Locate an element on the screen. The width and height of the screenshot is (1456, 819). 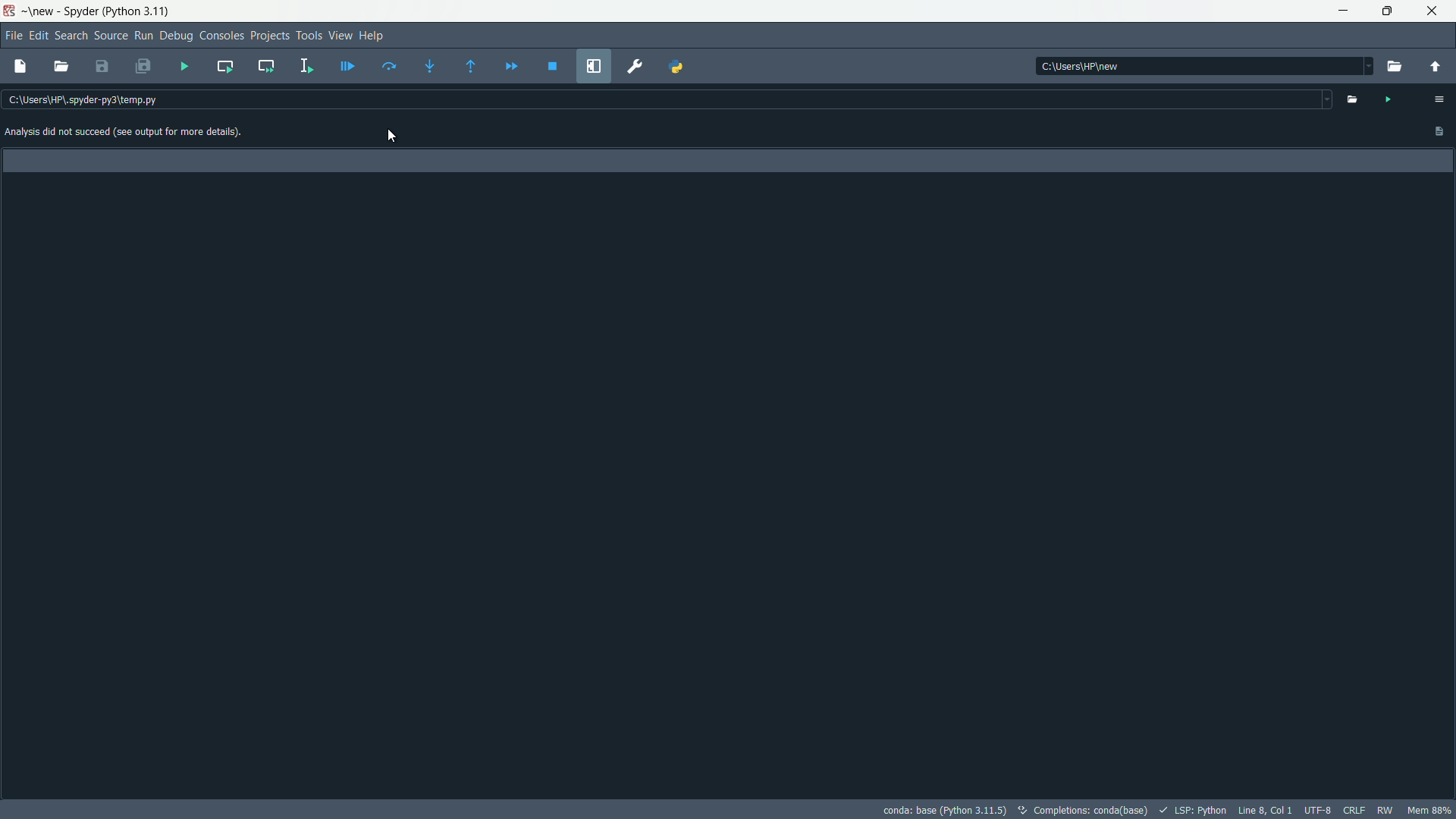
minimize is located at coordinates (1346, 11).